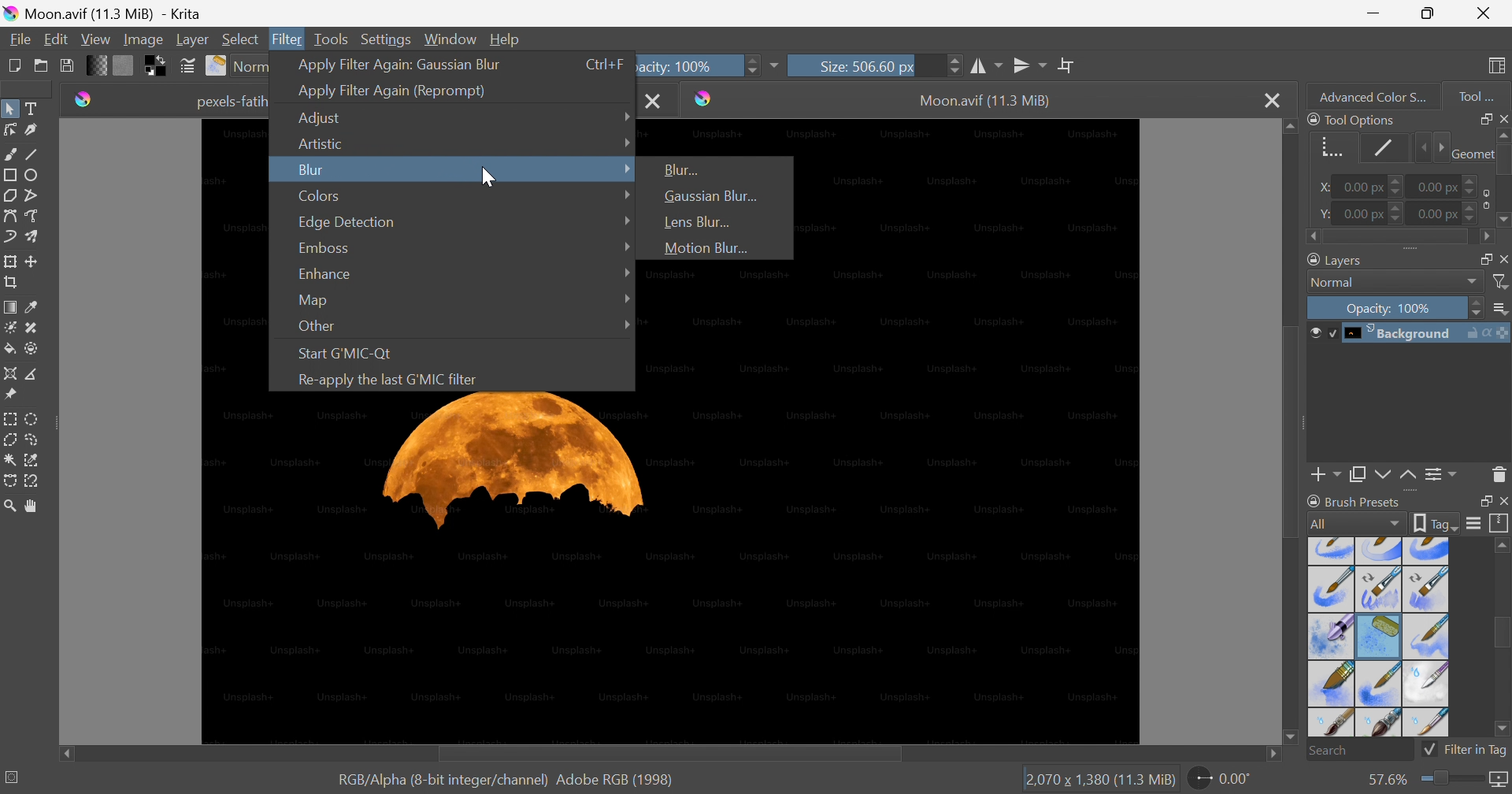  I want to click on Krita icon, so click(80, 102).